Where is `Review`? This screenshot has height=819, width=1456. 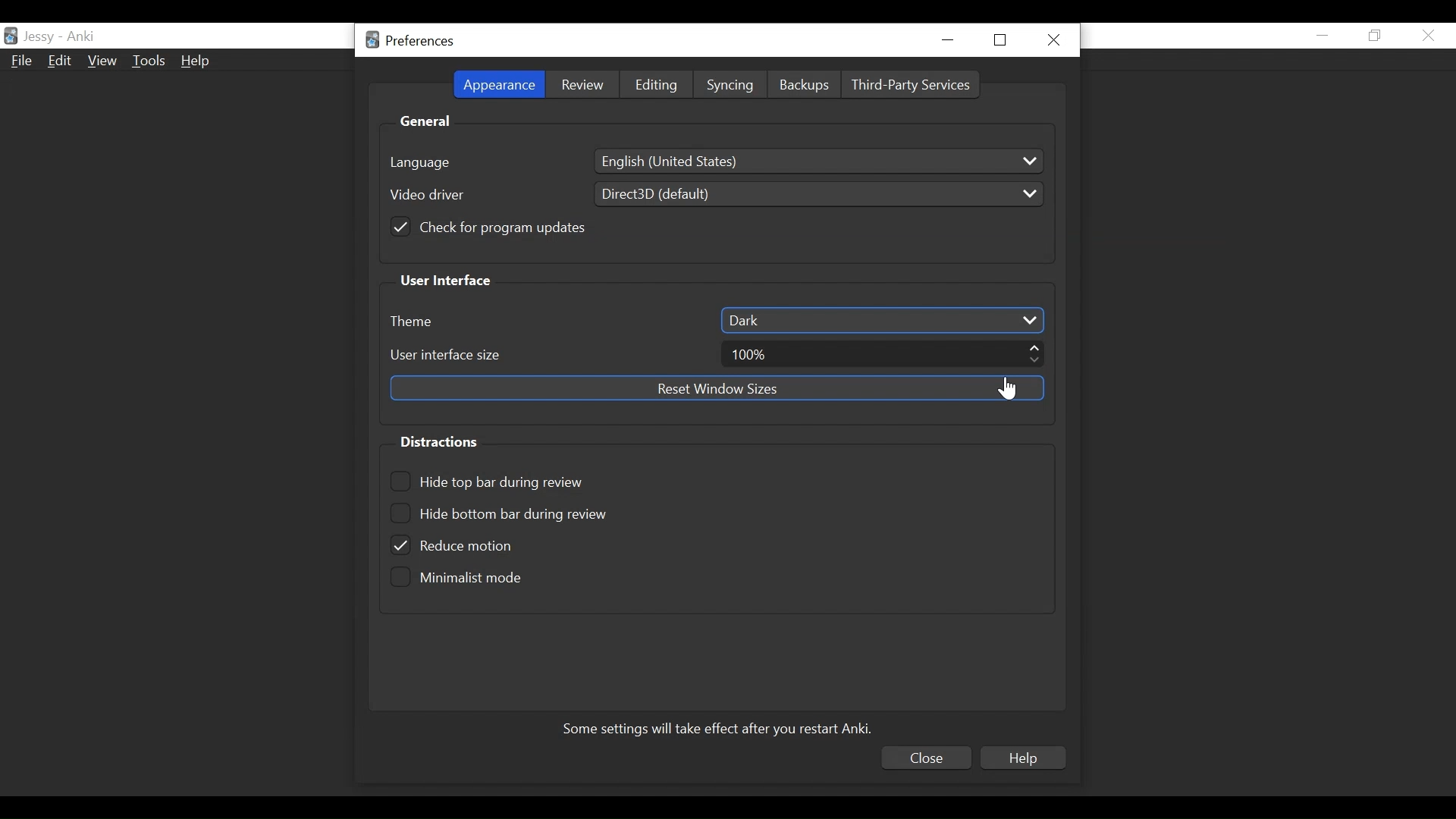 Review is located at coordinates (581, 86).